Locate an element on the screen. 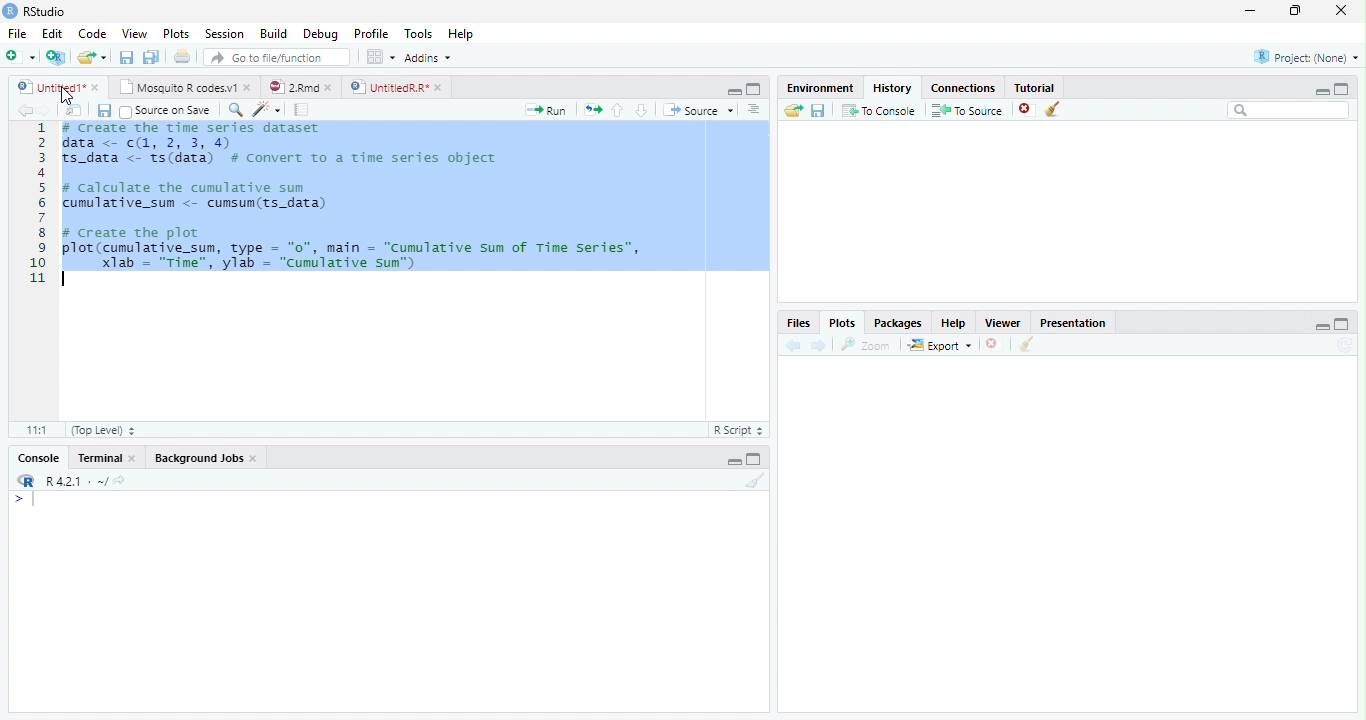  Help is located at coordinates (462, 36).